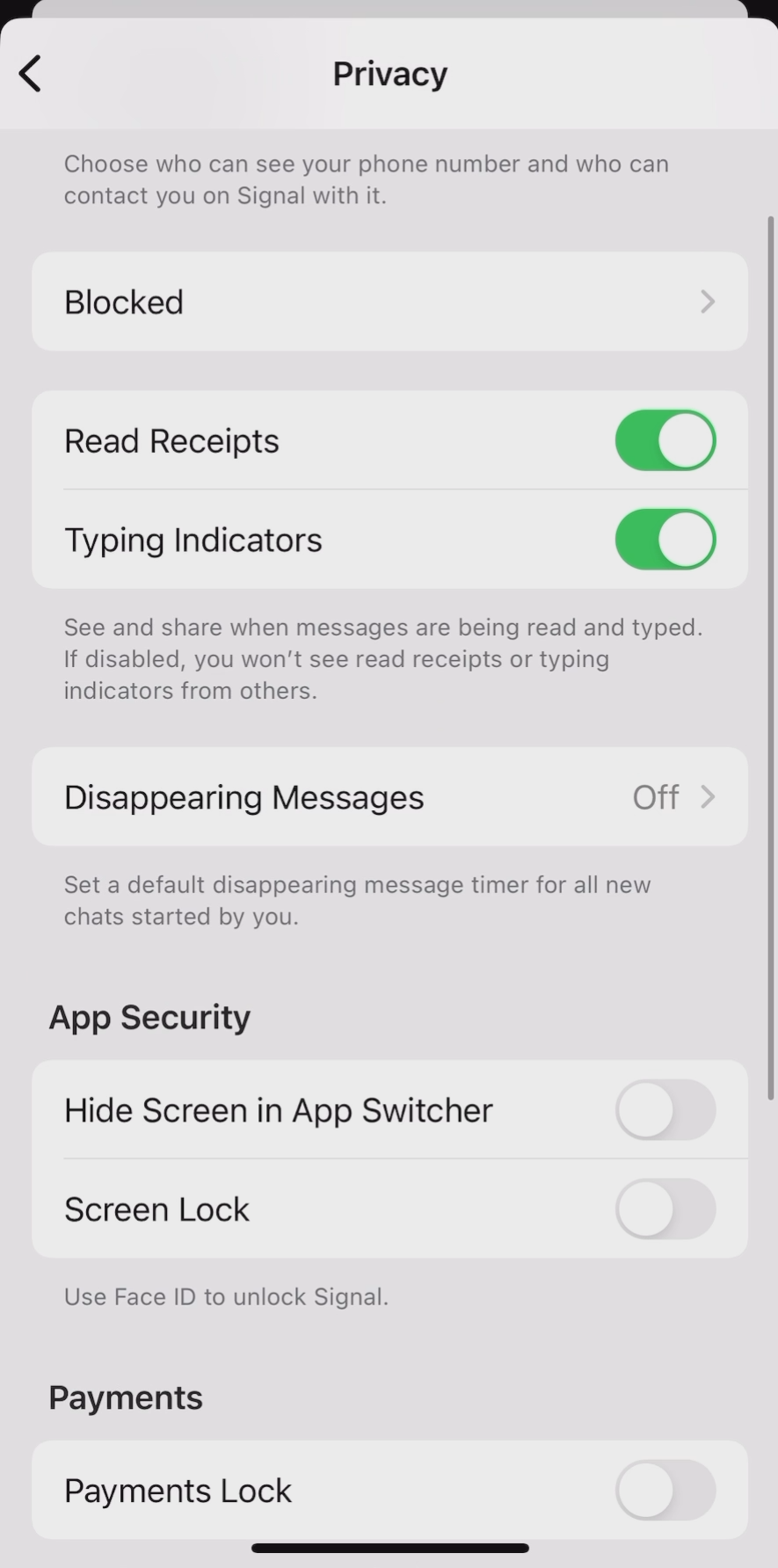  Describe the element at coordinates (227, 1296) in the screenshot. I see `information text` at that location.